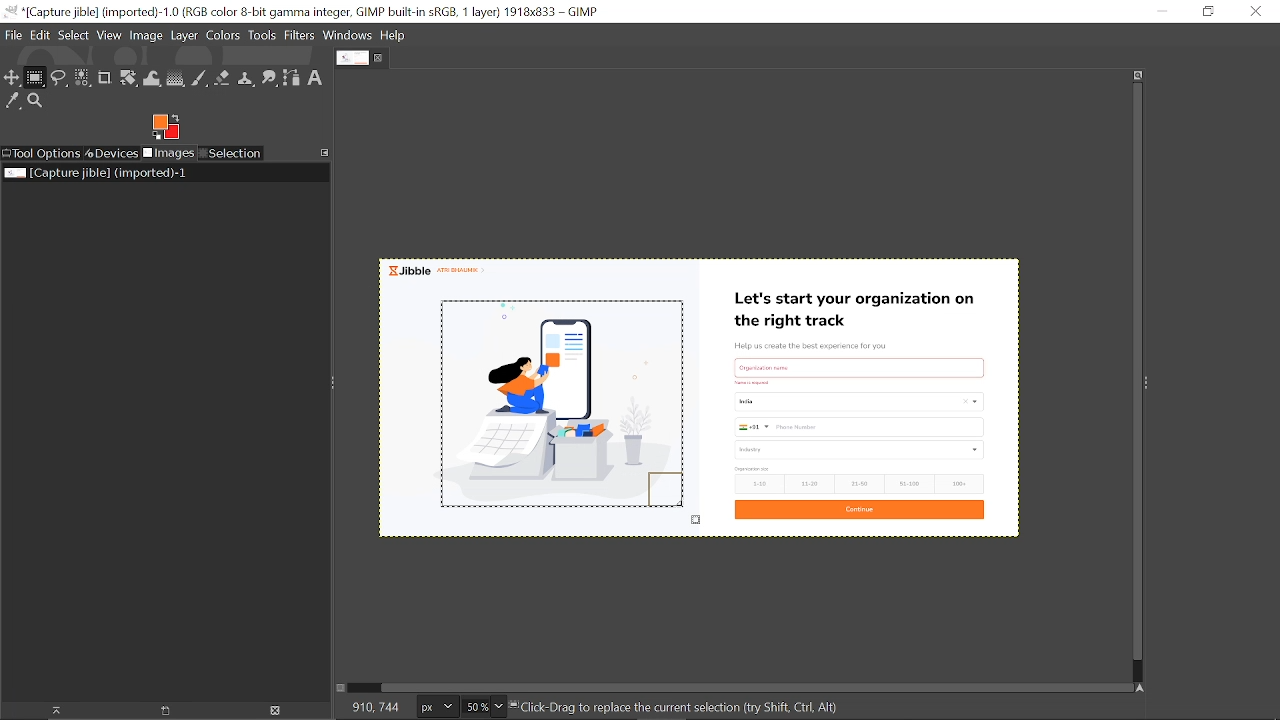 The image size is (1280, 720). What do you see at coordinates (381, 58) in the screenshot?
I see `Close tab` at bounding box center [381, 58].